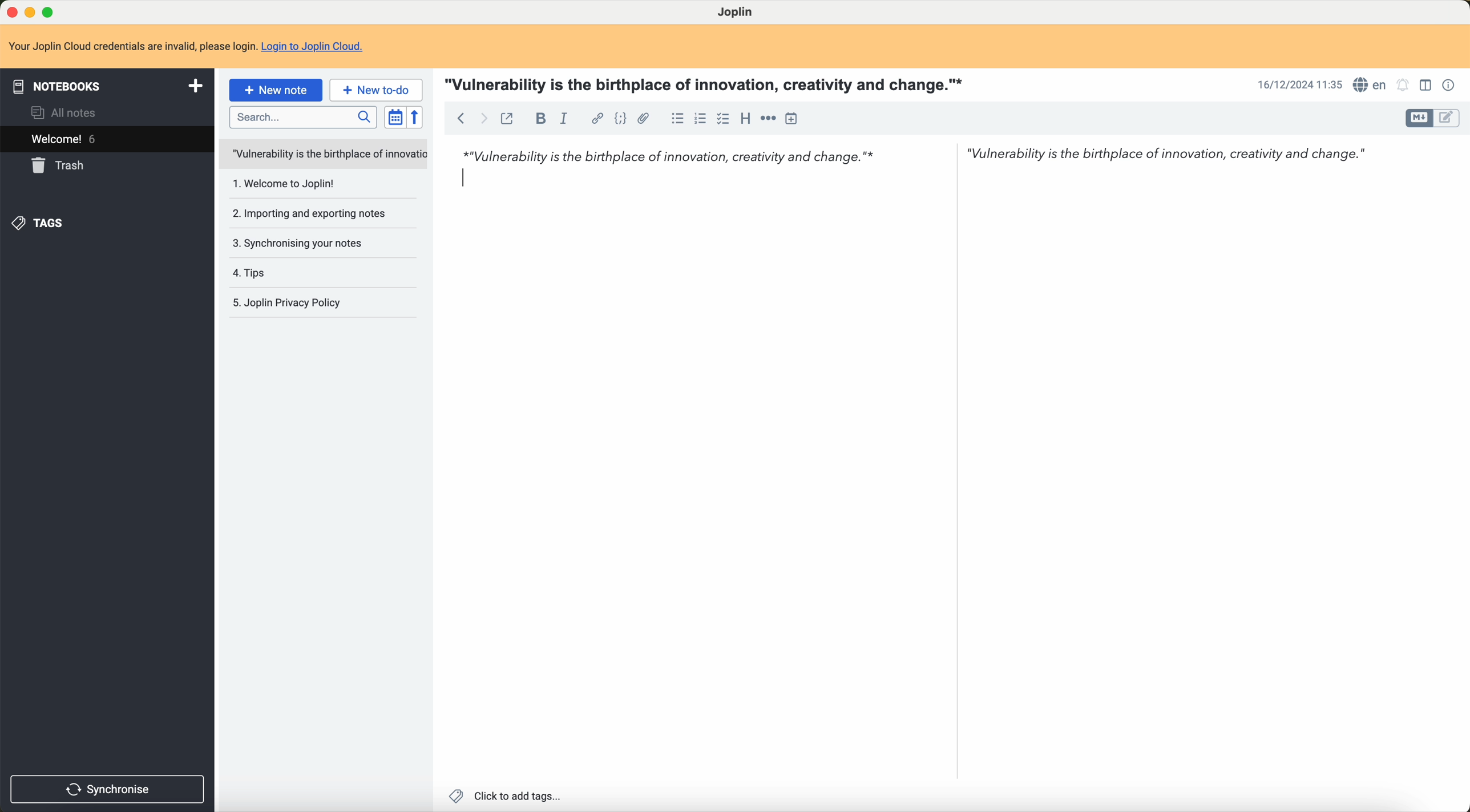  What do you see at coordinates (565, 116) in the screenshot?
I see `italic` at bounding box center [565, 116].